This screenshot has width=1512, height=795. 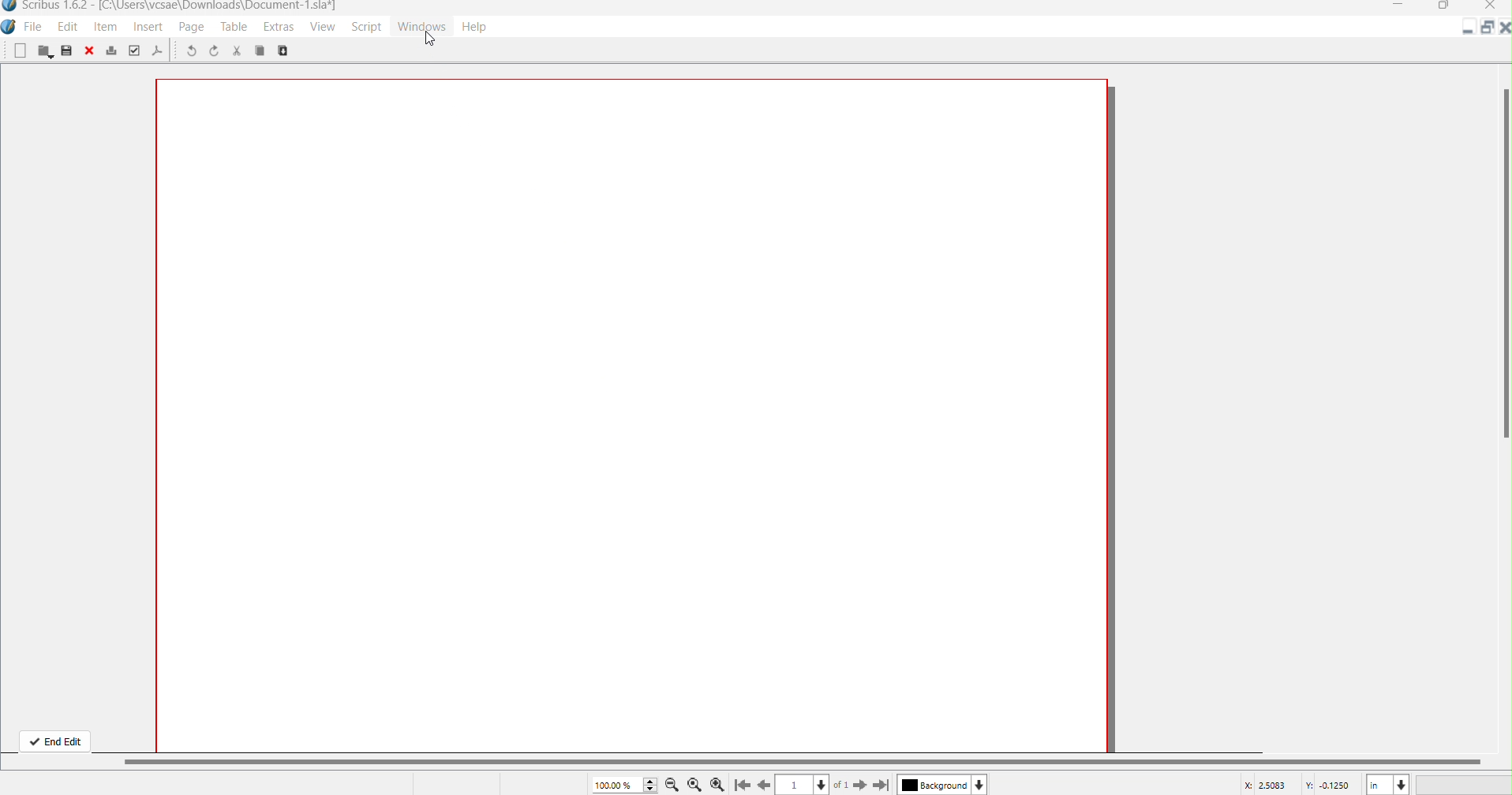 What do you see at coordinates (54, 739) in the screenshot?
I see `End Edit` at bounding box center [54, 739].